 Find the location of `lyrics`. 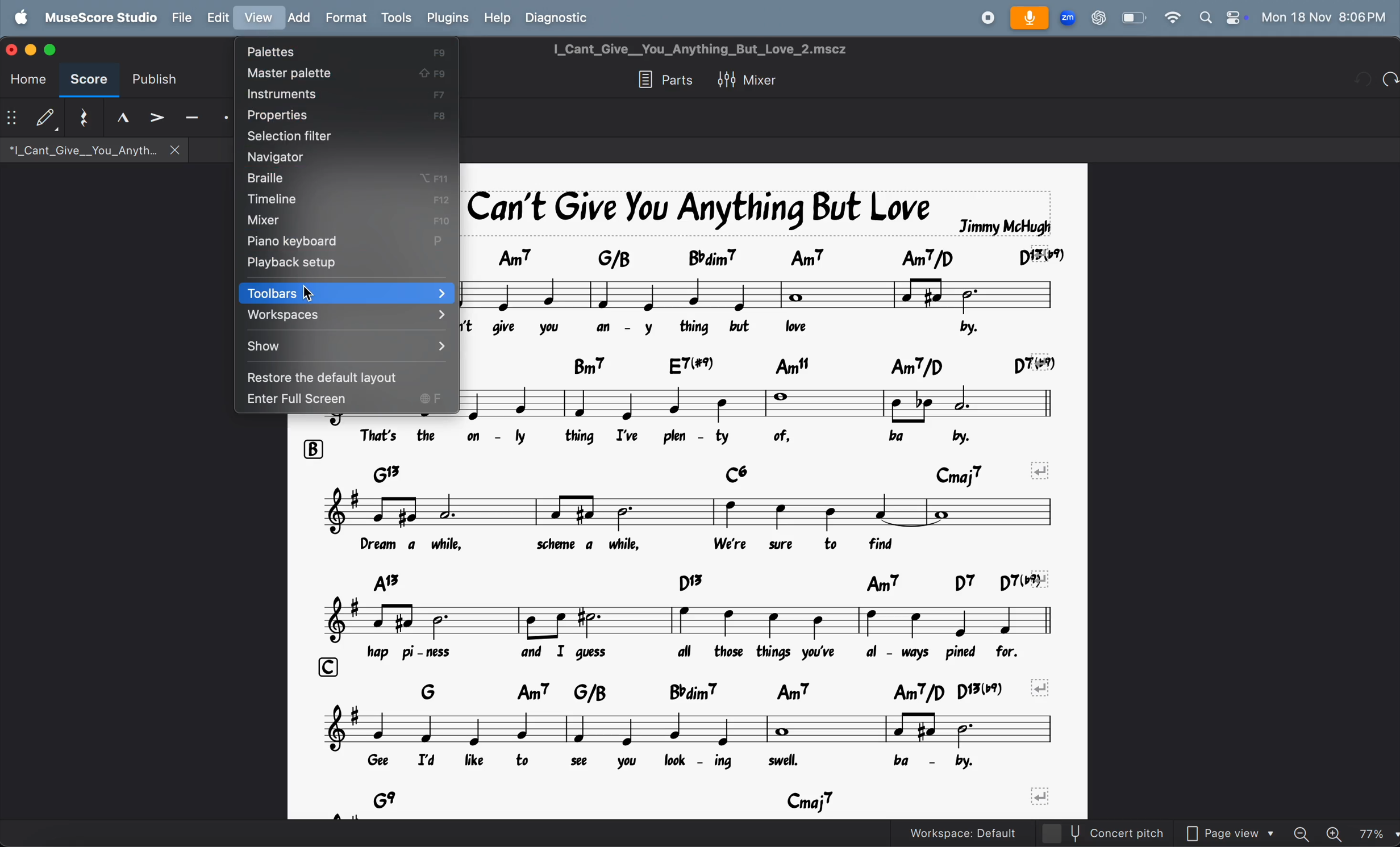

lyrics is located at coordinates (711, 653).